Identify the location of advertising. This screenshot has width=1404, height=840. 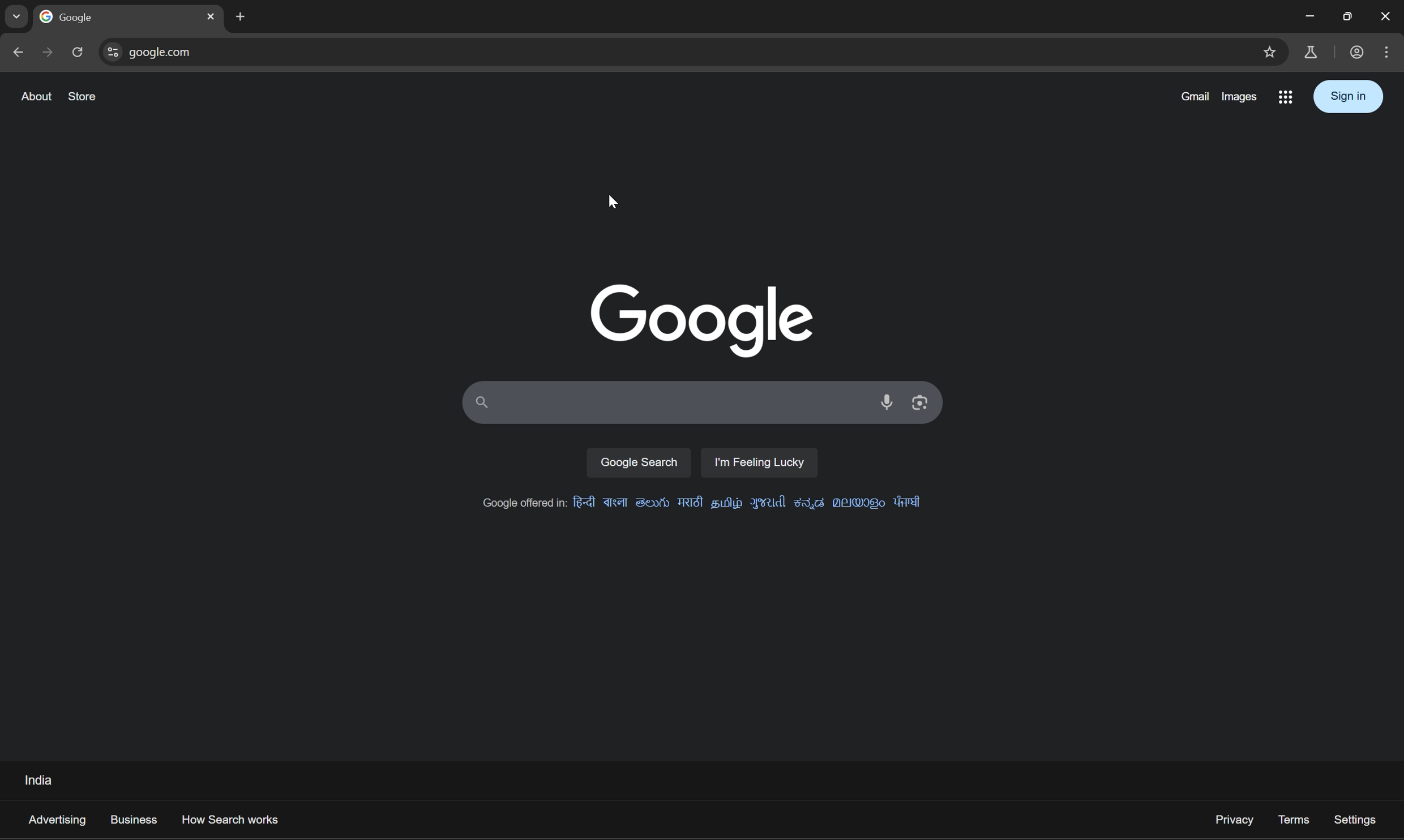
(56, 818).